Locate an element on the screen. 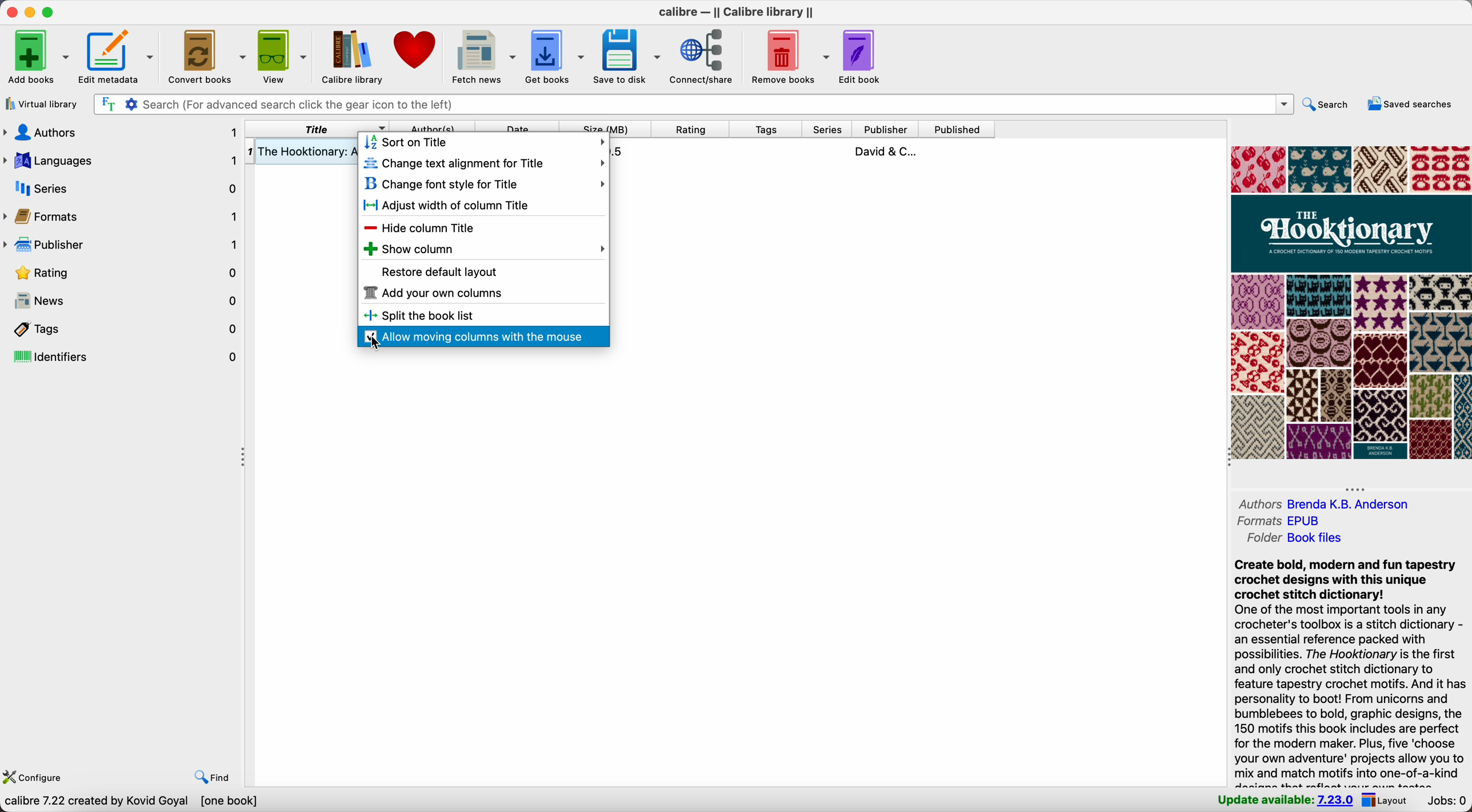  restore deafult layout is located at coordinates (442, 271).